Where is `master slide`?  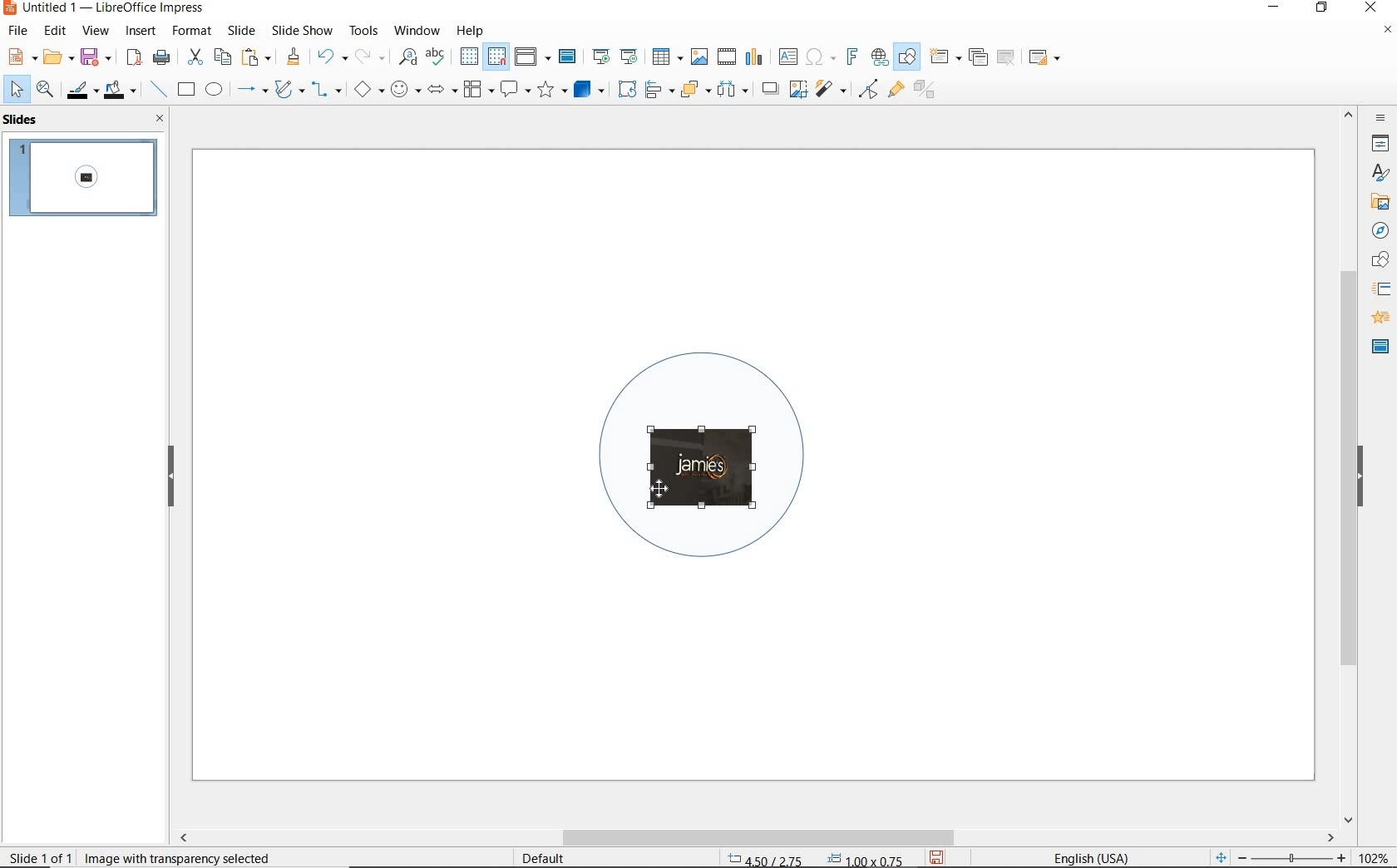 master slide is located at coordinates (1380, 345).